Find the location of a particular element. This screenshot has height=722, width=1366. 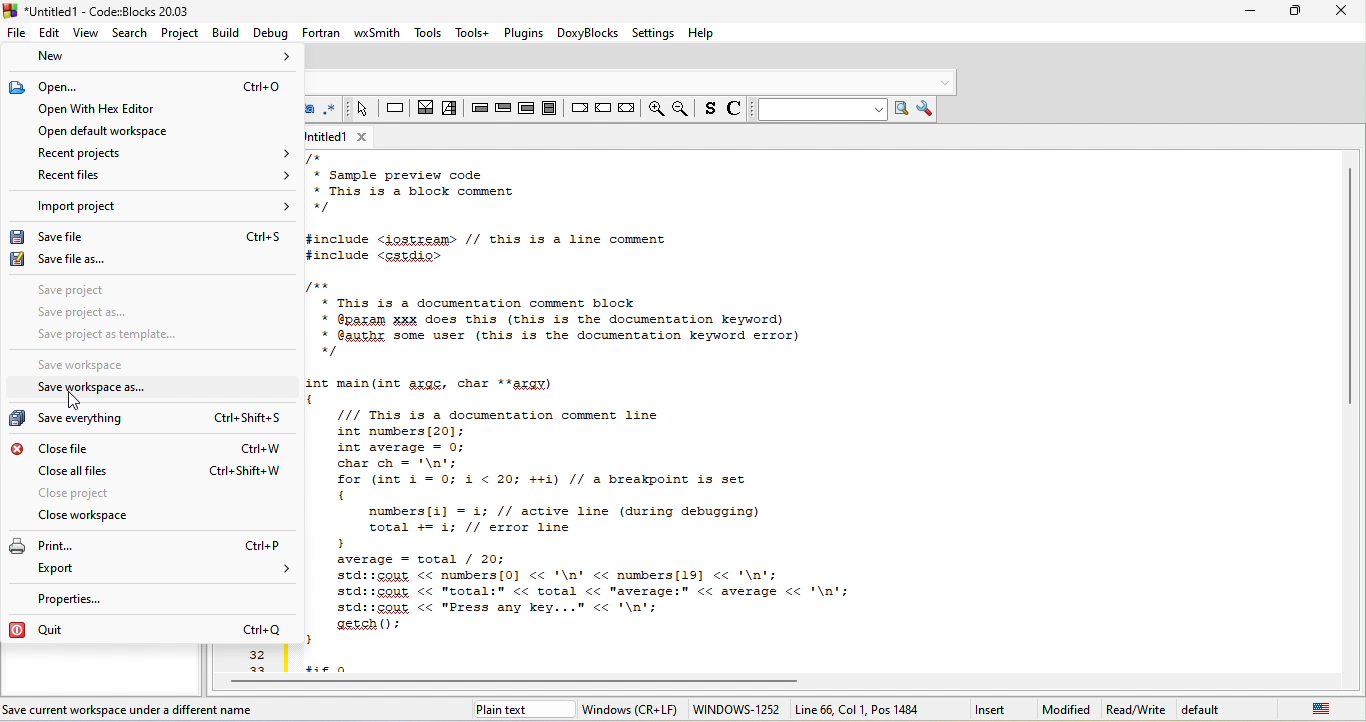

save workspace is located at coordinates (95, 367).